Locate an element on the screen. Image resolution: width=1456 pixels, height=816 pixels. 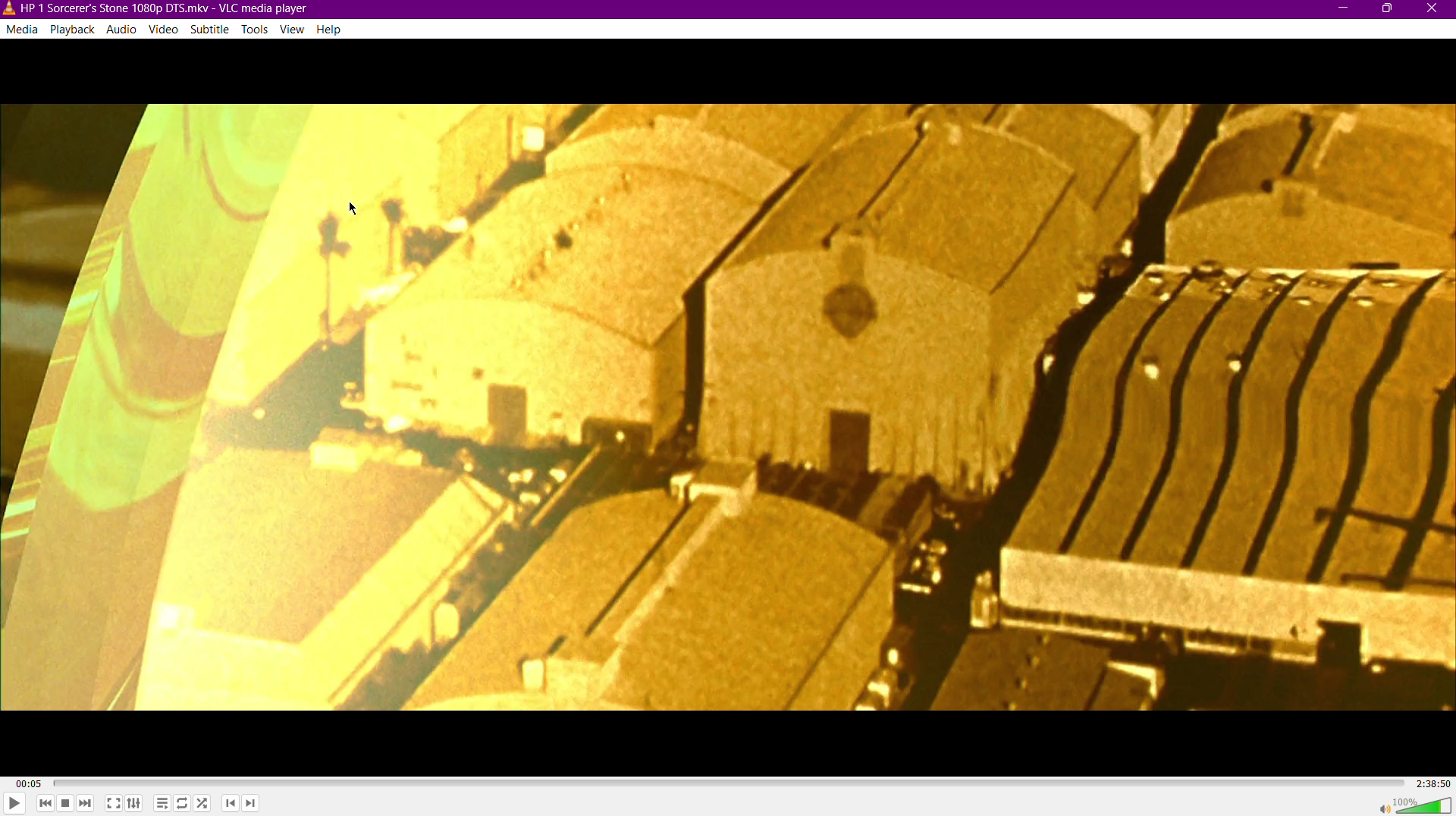
Video is located at coordinates (165, 29).